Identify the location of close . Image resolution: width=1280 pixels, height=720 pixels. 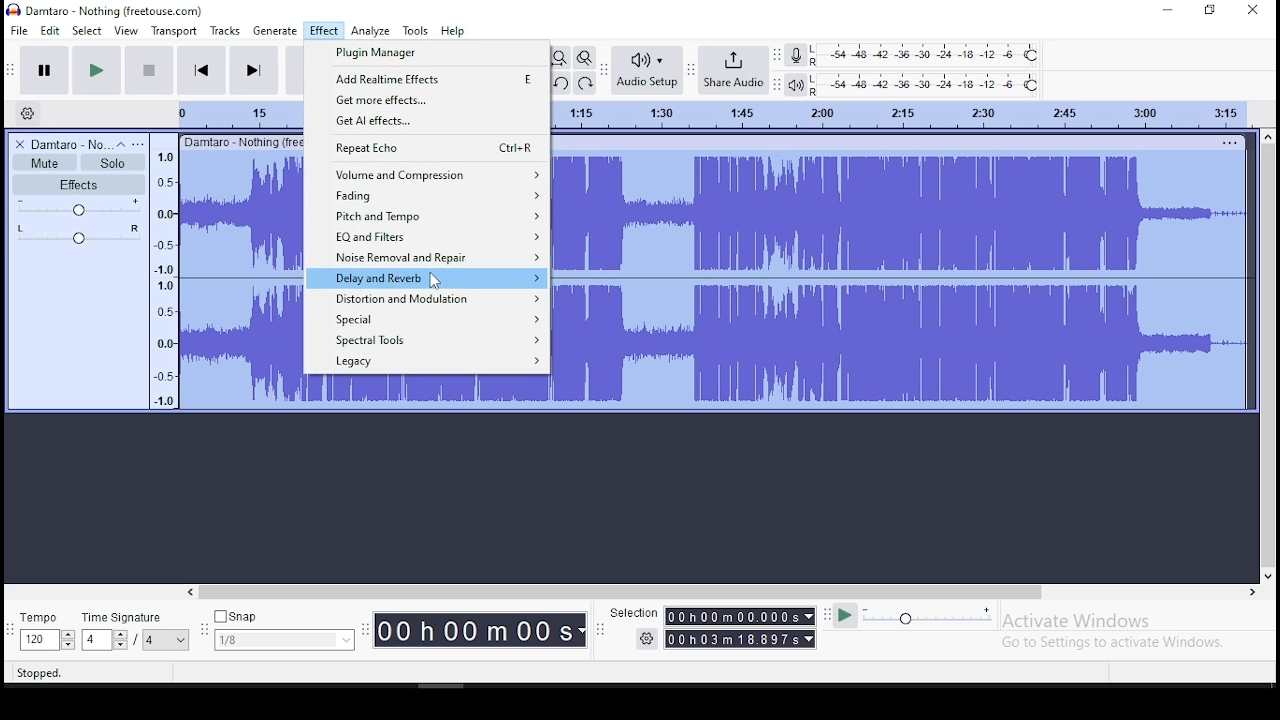
(1250, 10).